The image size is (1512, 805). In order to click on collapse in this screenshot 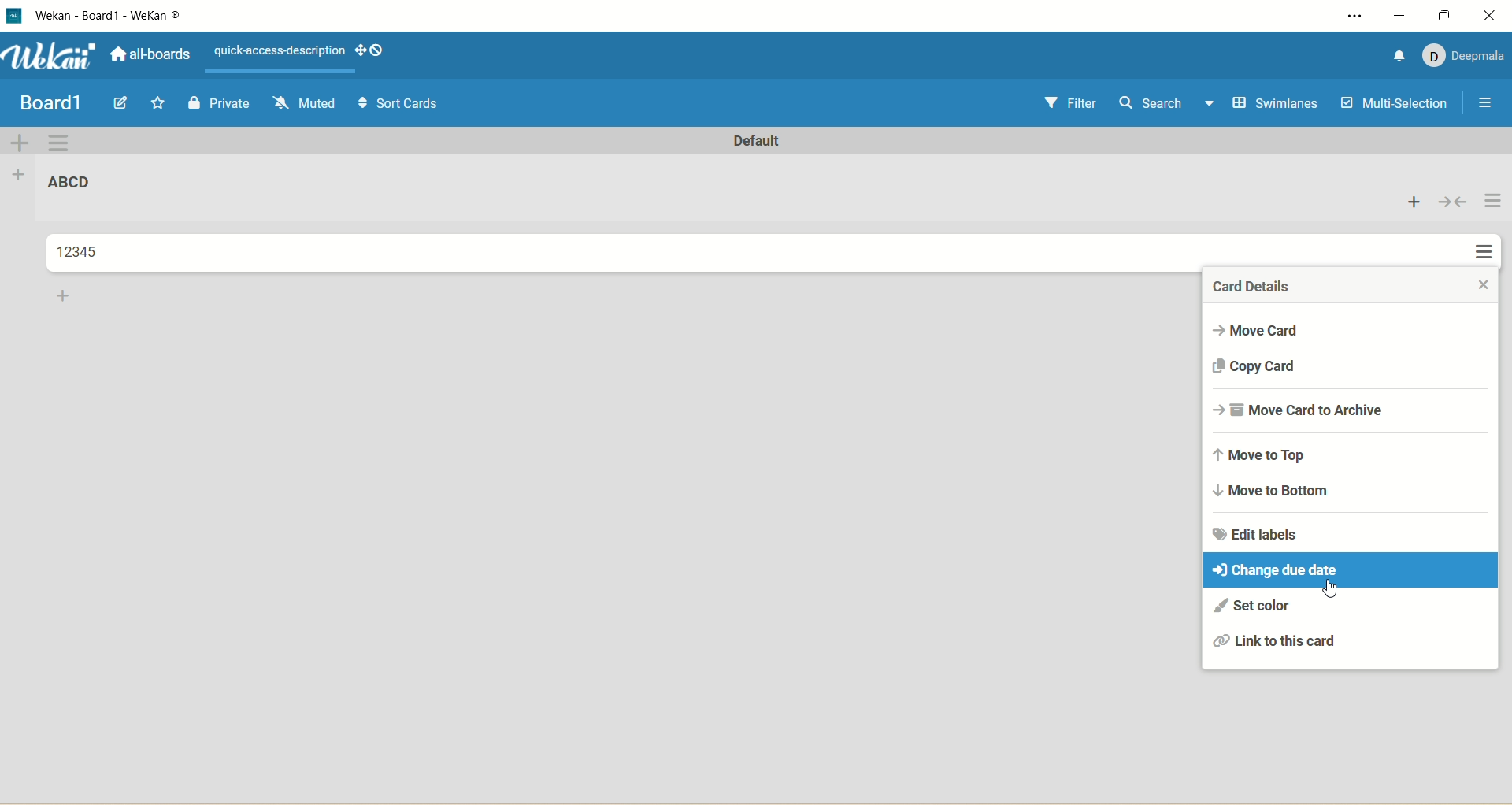, I will do `click(1454, 202)`.